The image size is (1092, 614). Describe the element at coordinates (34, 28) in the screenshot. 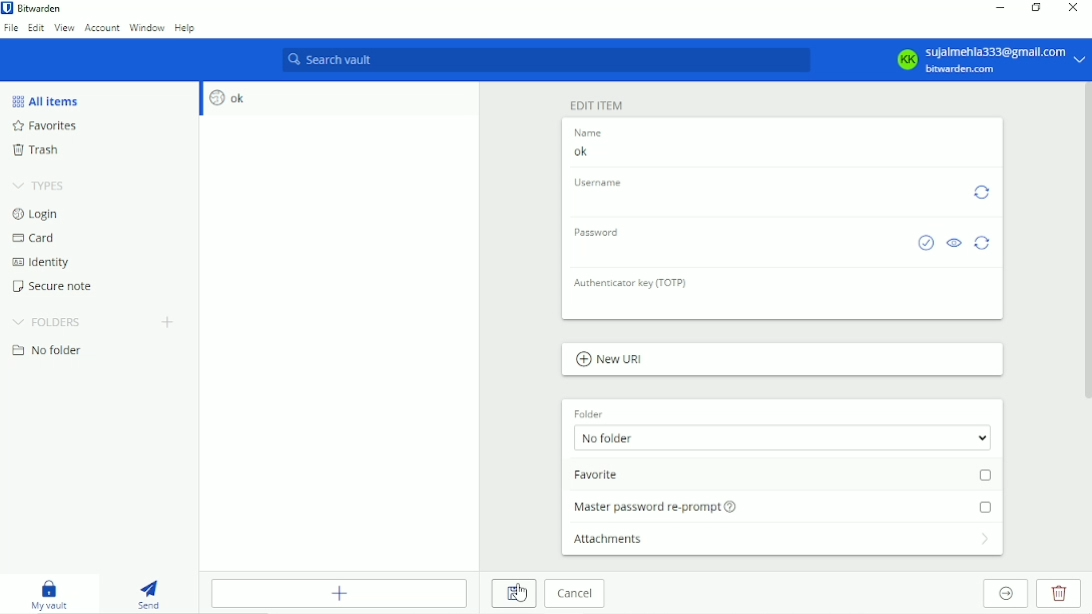

I see `Edit` at that location.